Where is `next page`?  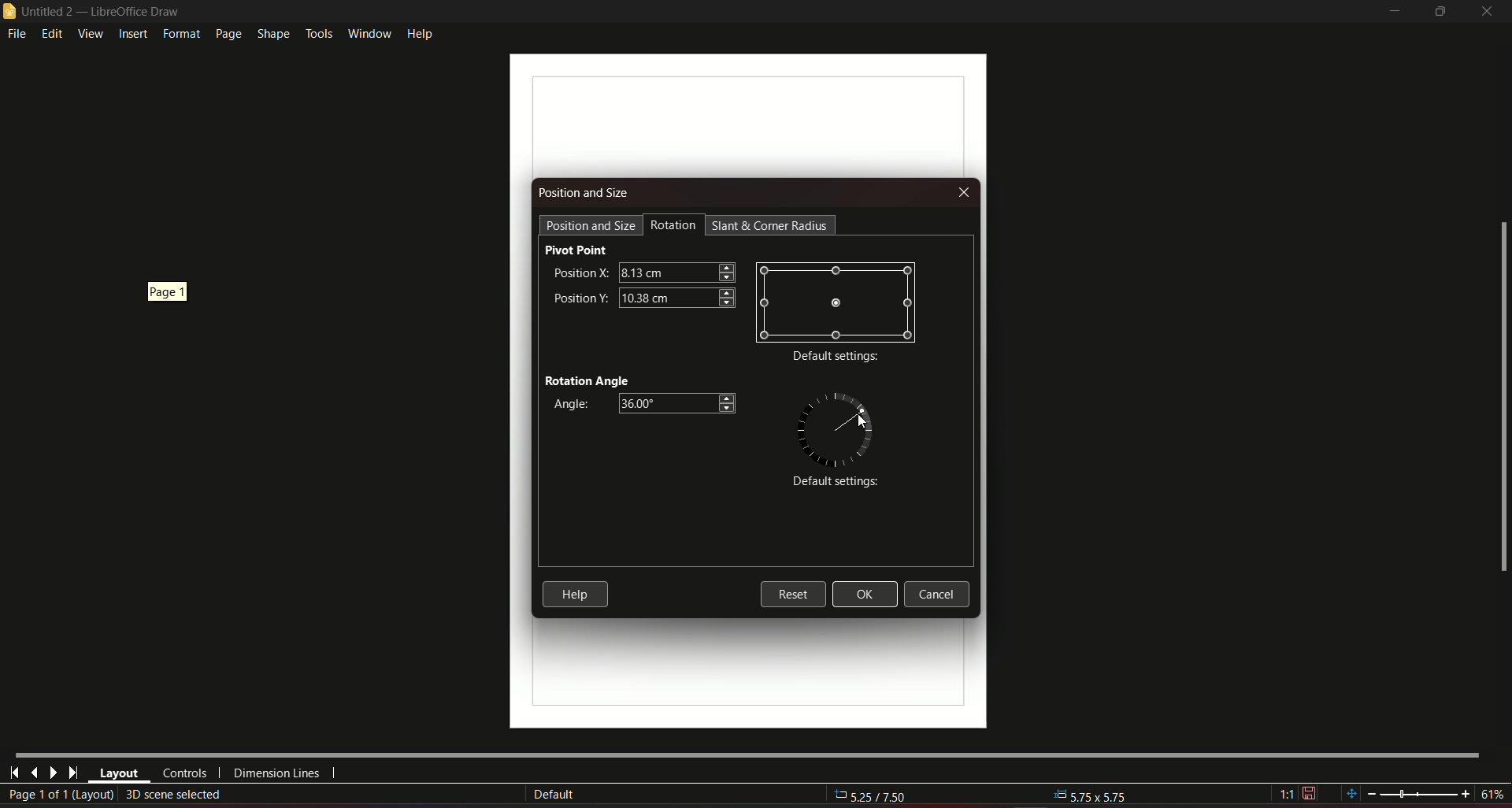
next page is located at coordinates (53, 773).